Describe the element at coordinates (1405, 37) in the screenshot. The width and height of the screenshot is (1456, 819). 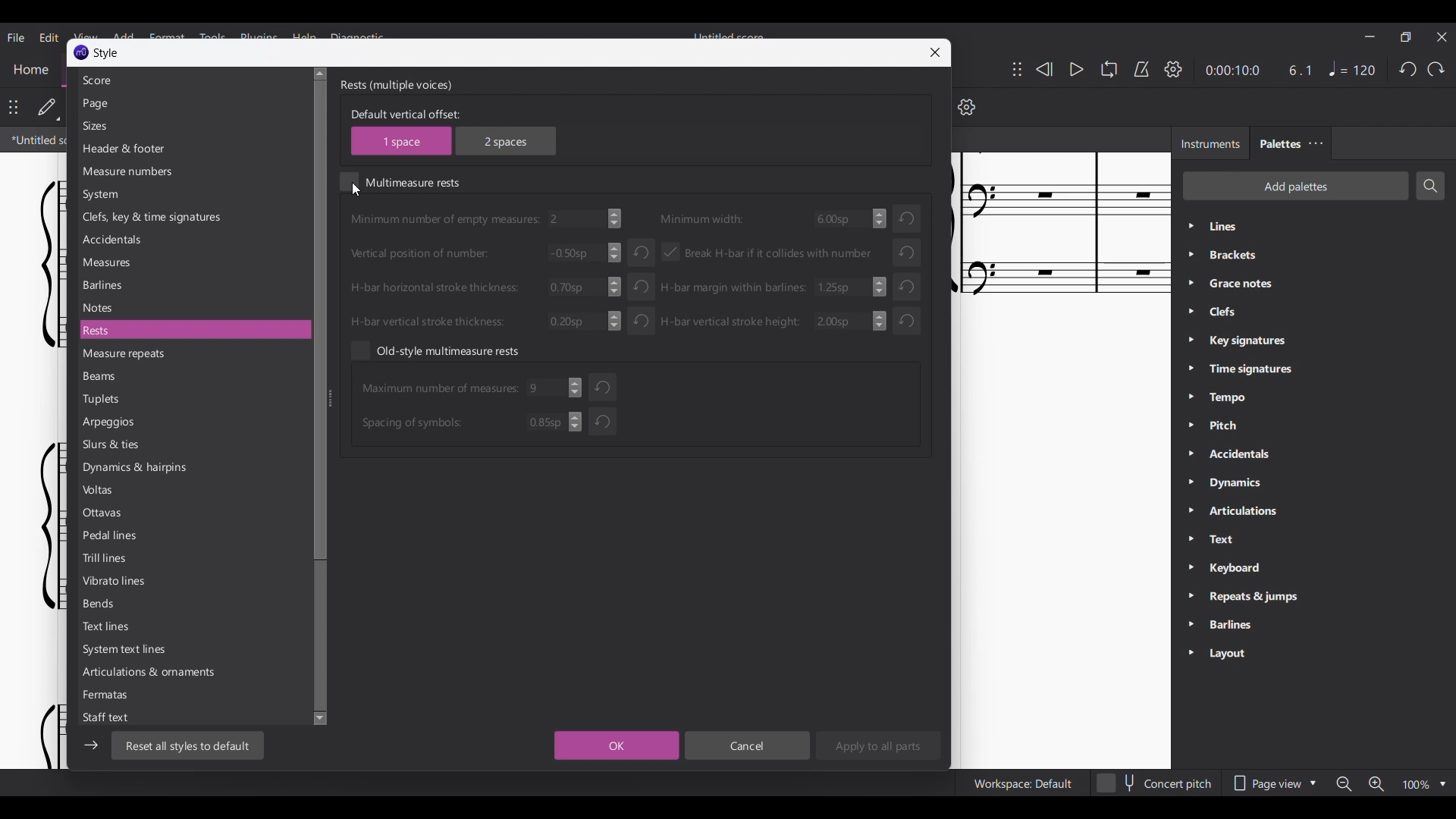
I see `Show interface in a smaller tab` at that location.